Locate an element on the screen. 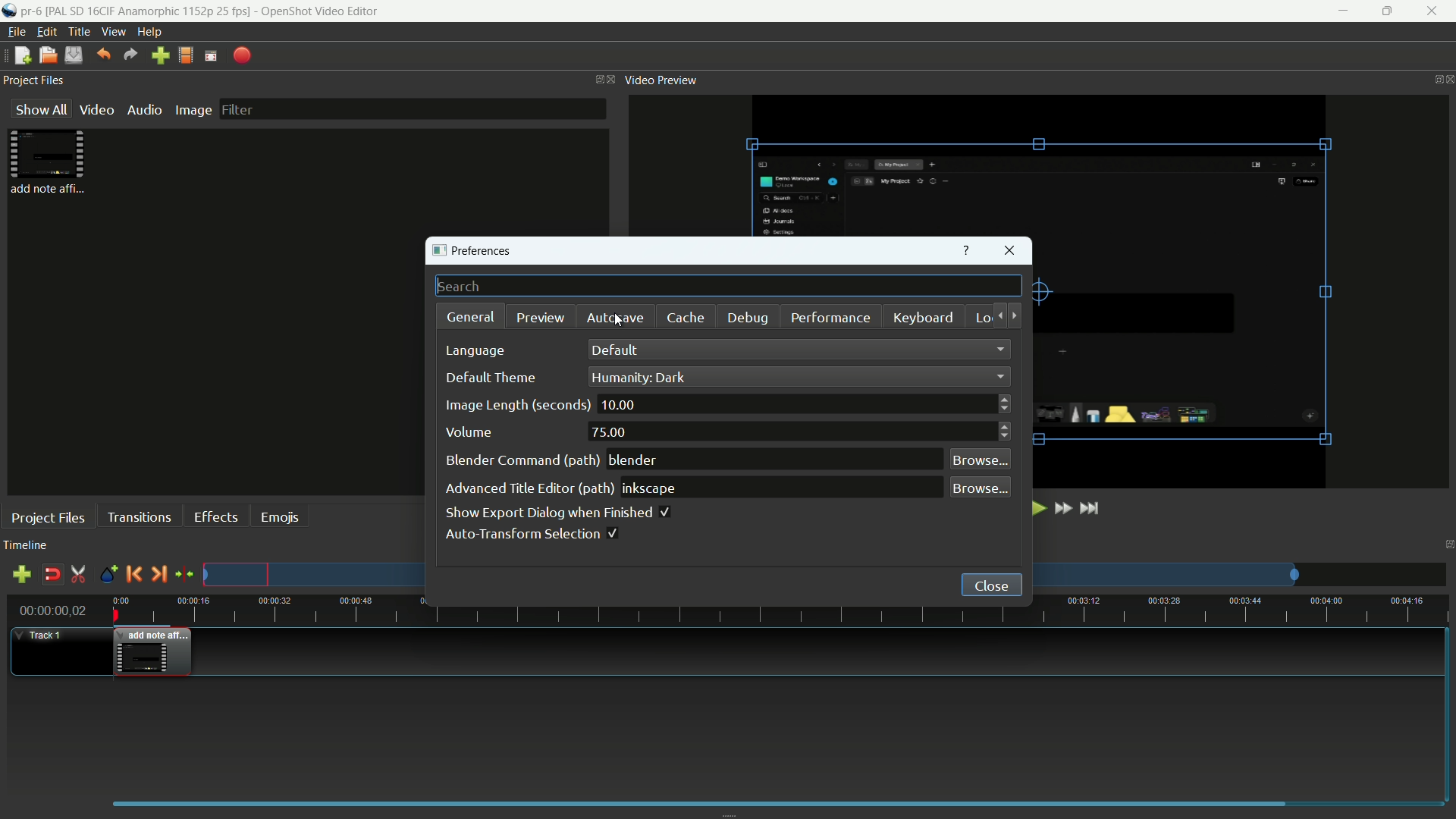 This screenshot has width=1456, height=819. project files is located at coordinates (35, 80).